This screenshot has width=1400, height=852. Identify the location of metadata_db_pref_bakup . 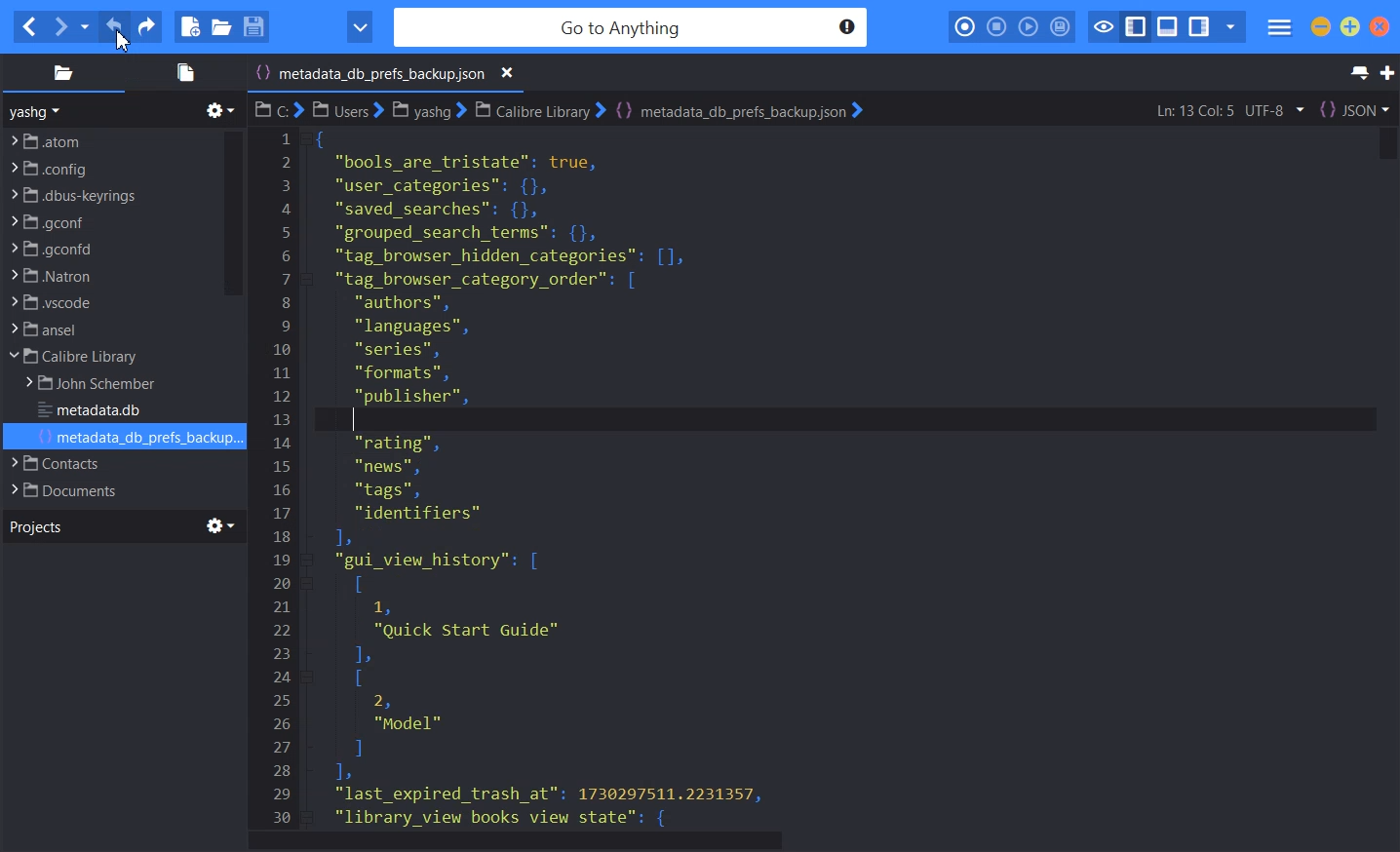
(567, 476).